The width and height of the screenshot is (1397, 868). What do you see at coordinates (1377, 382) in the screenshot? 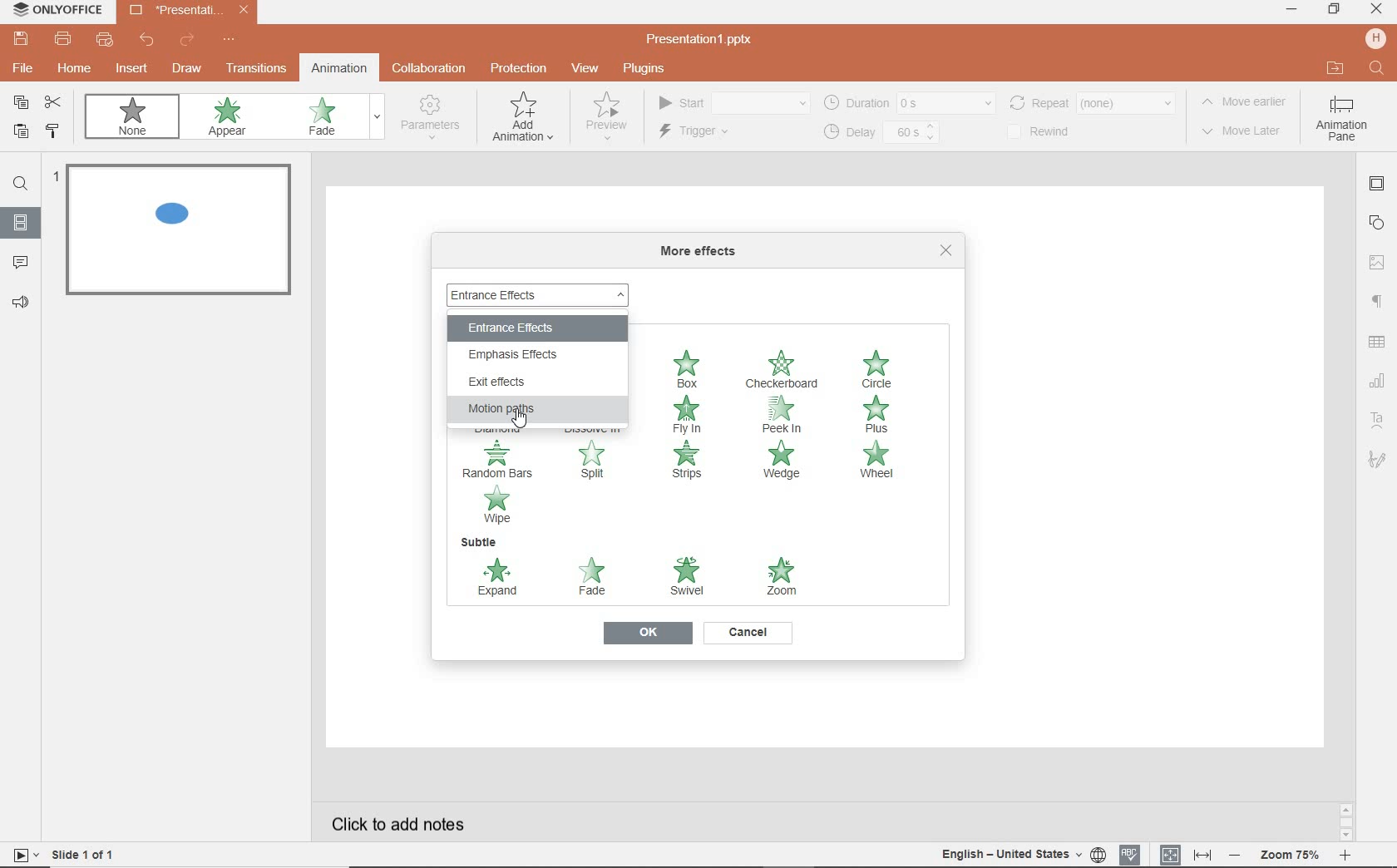
I see `chart settings` at bounding box center [1377, 382].